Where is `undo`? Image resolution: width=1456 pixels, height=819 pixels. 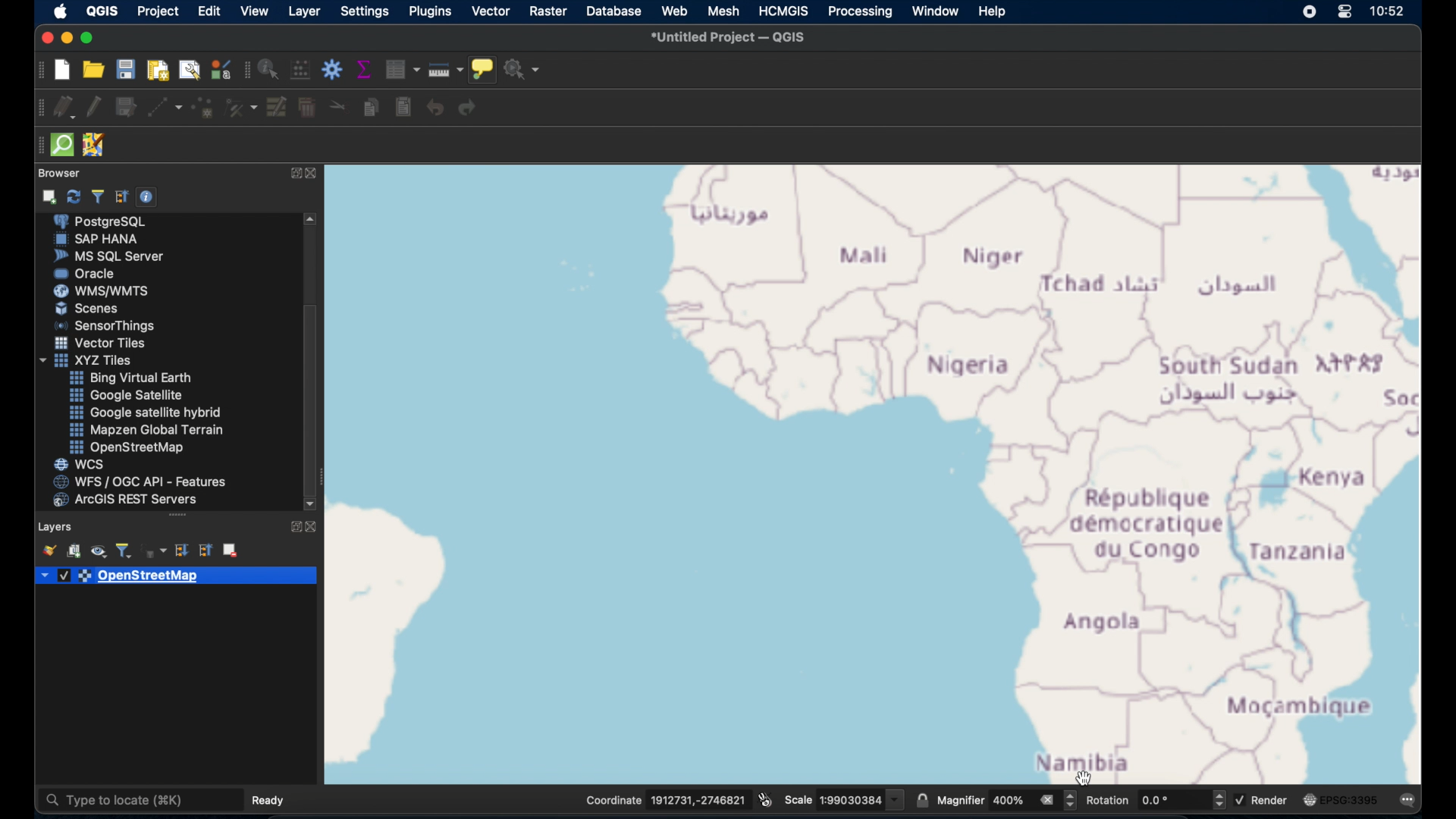
undo is located at coordinates (434, 109).